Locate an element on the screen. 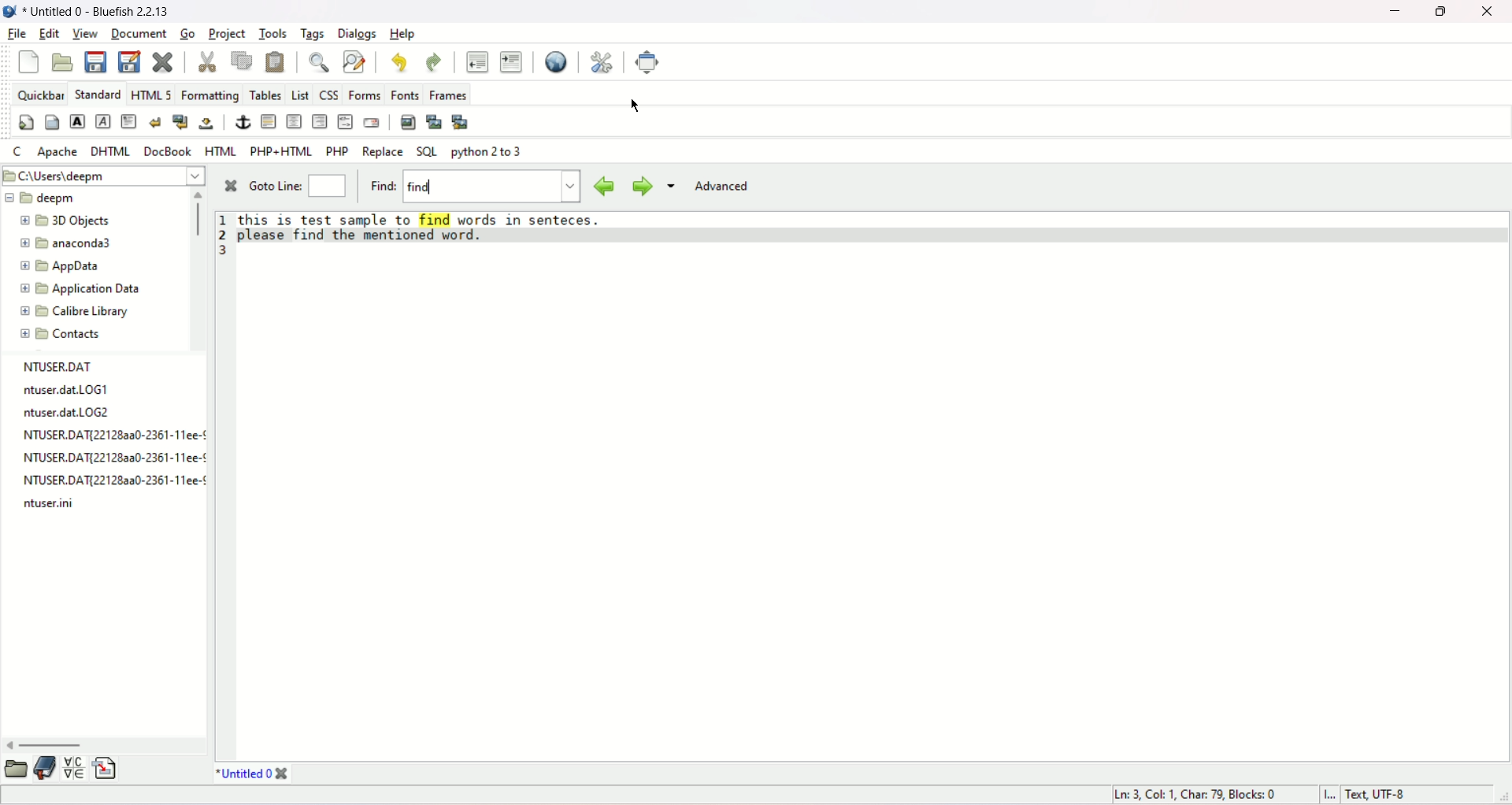 This screenshot has height=805, width=1512. center is located at coordinates (296, 124).